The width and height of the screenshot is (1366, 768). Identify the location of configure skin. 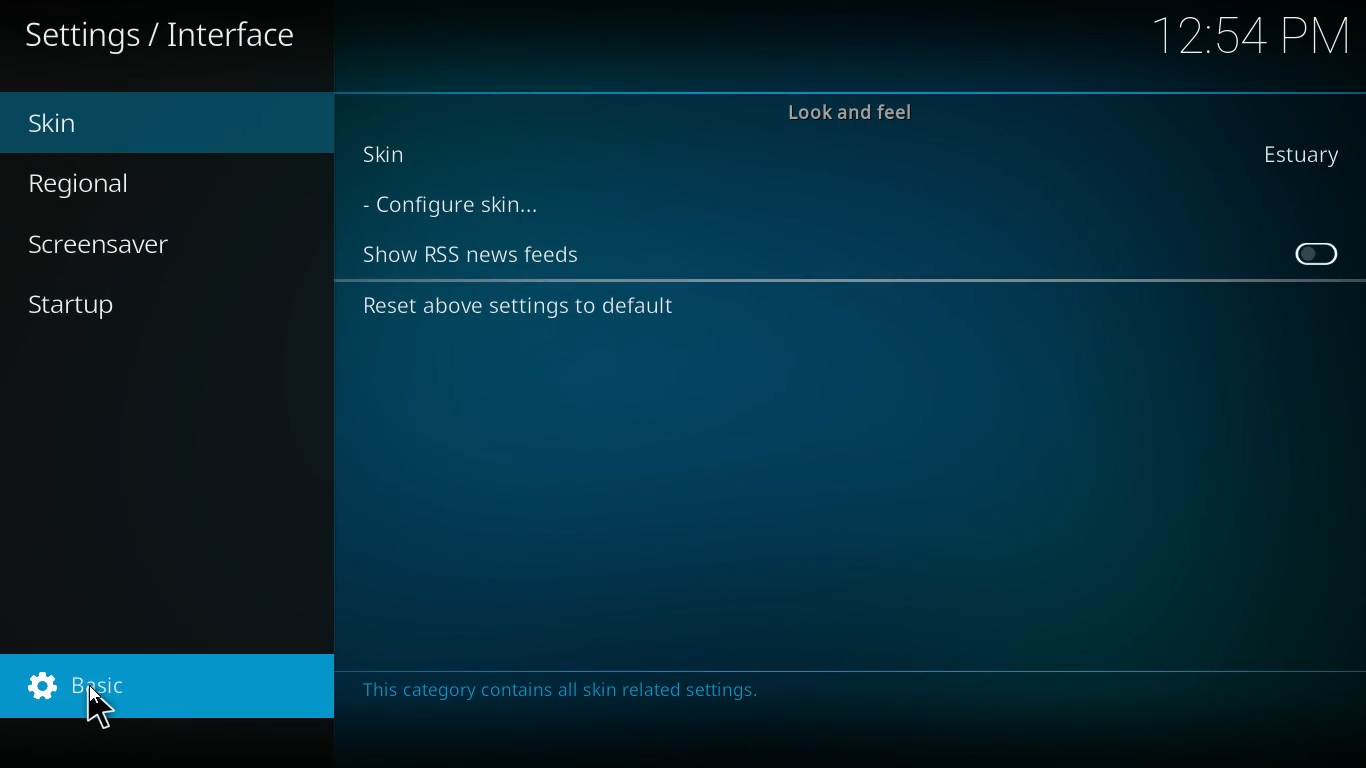
(468, 207).